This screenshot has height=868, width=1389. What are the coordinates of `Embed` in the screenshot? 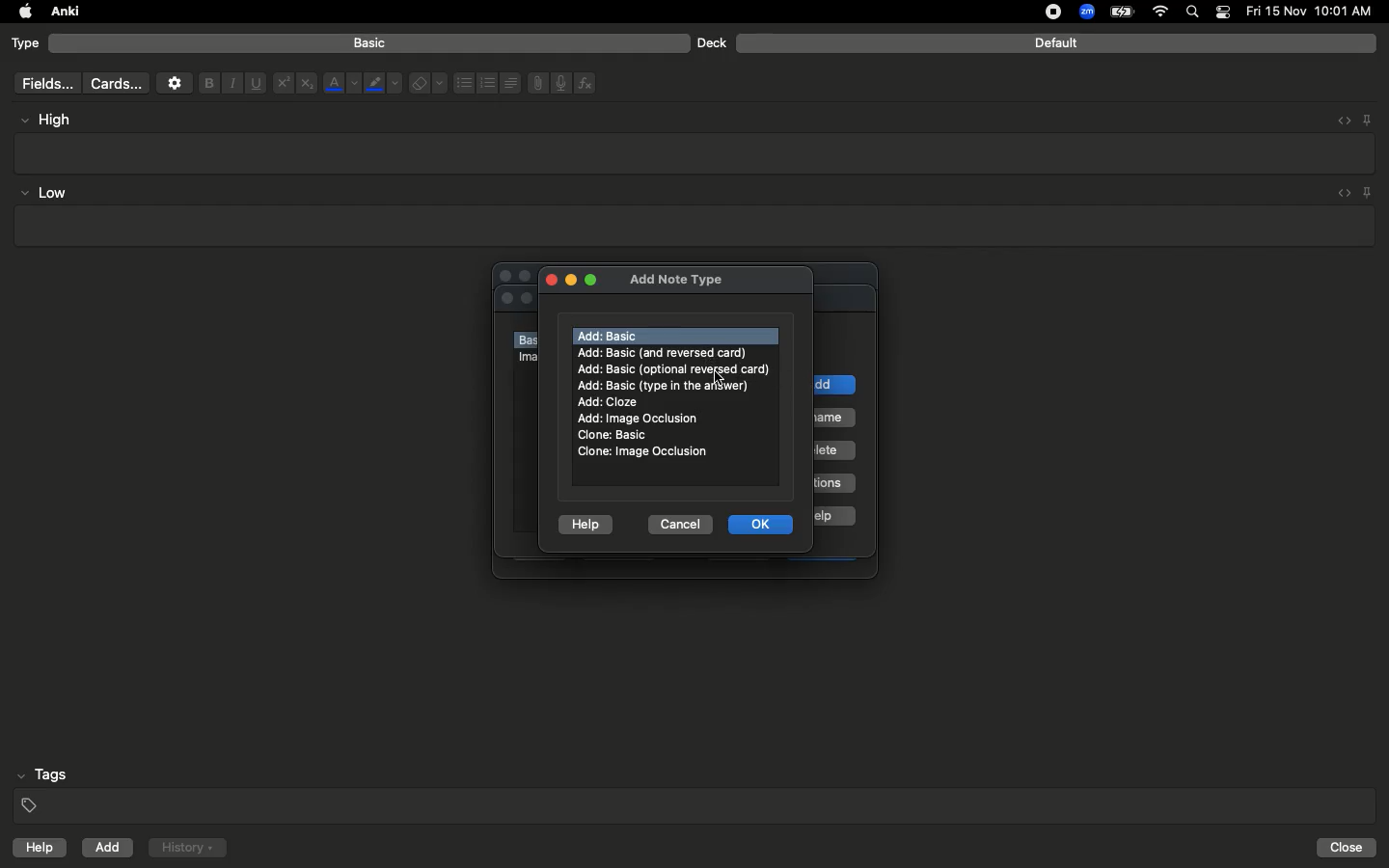 It's located at (1338, 121).